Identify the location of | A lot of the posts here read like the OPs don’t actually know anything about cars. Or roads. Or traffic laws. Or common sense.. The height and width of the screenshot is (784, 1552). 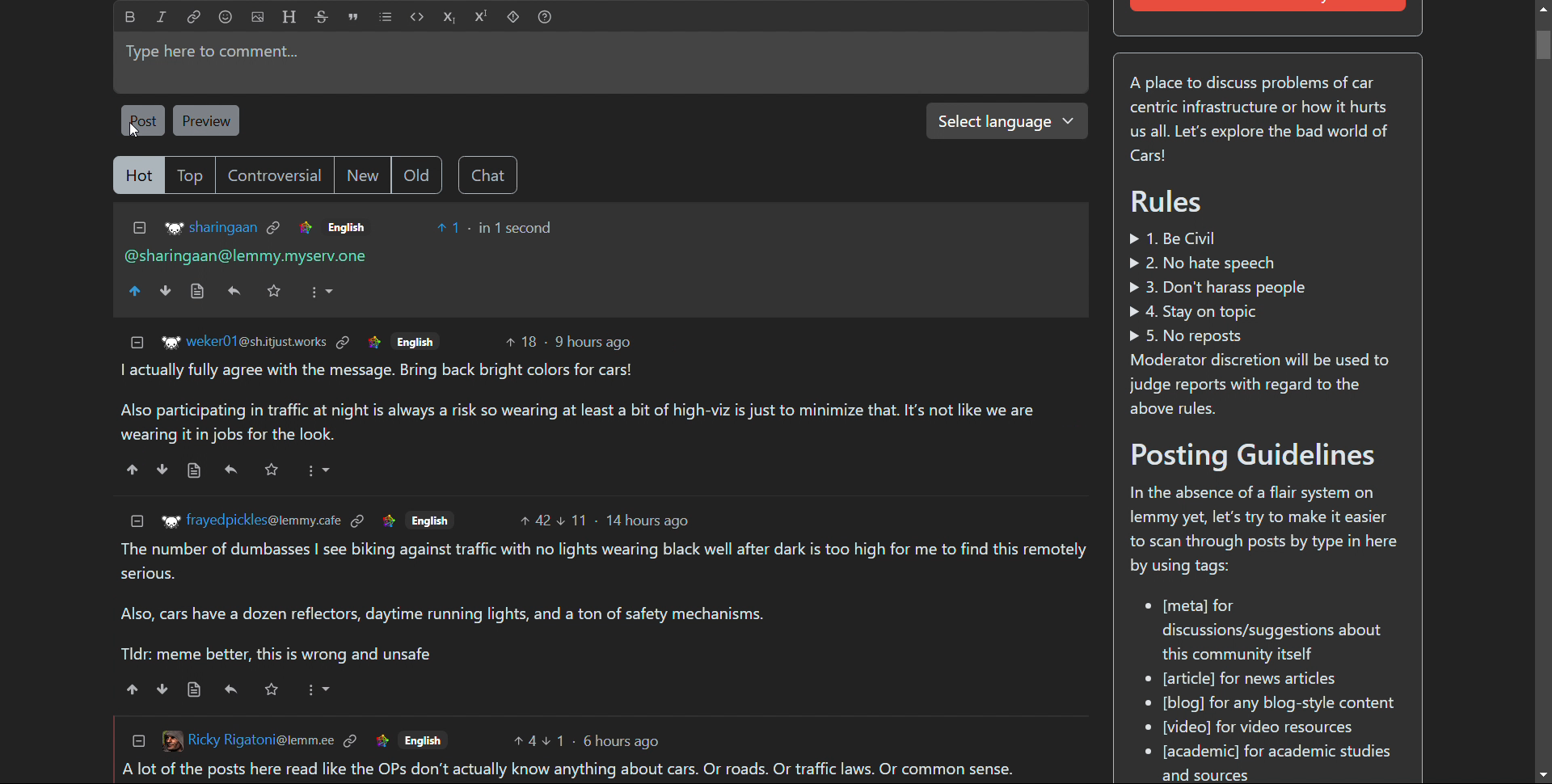
(562, 770).